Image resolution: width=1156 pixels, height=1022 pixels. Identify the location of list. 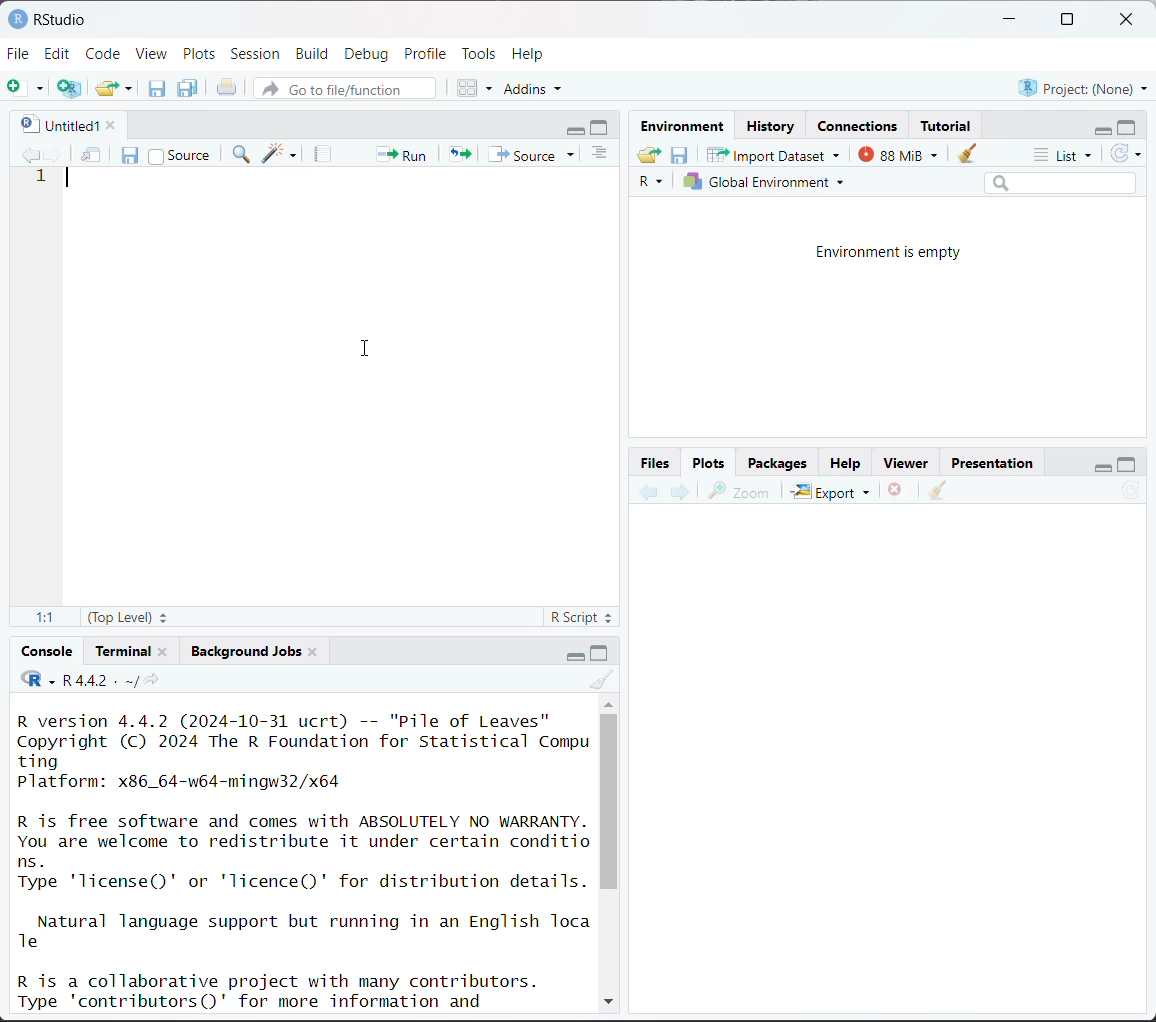
(1066, 156).